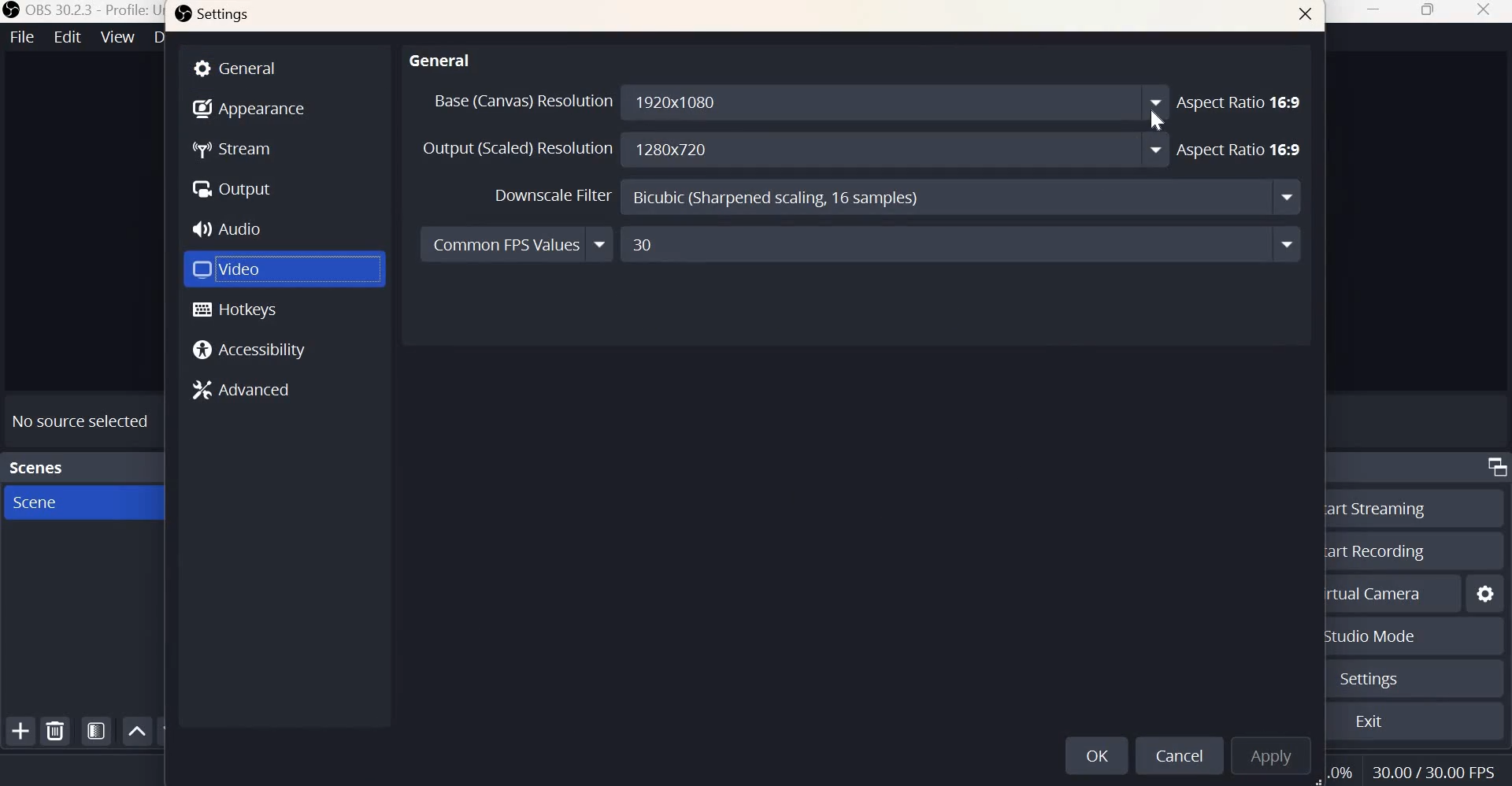 The height and width of the screenshot is (786, 1512). What do you see at coordinates (1376, 13) in the screenshot?
I see `Minimize` at bounding box center [1376, 13].